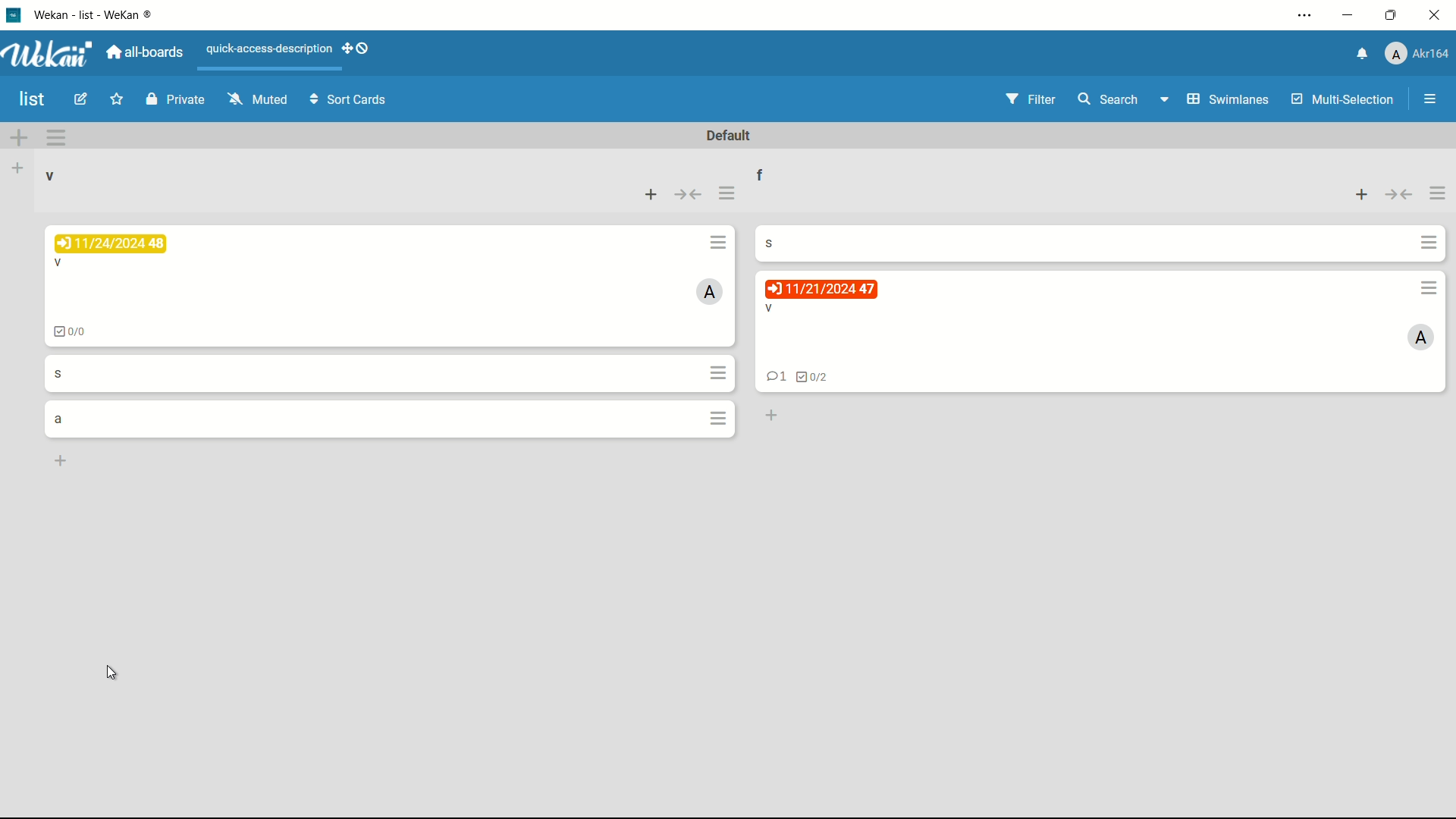 The width and height of the screenshot is (1456, 819). Describe the element at coordinates (730, 136) in the screenshot. I see `default` at that location.